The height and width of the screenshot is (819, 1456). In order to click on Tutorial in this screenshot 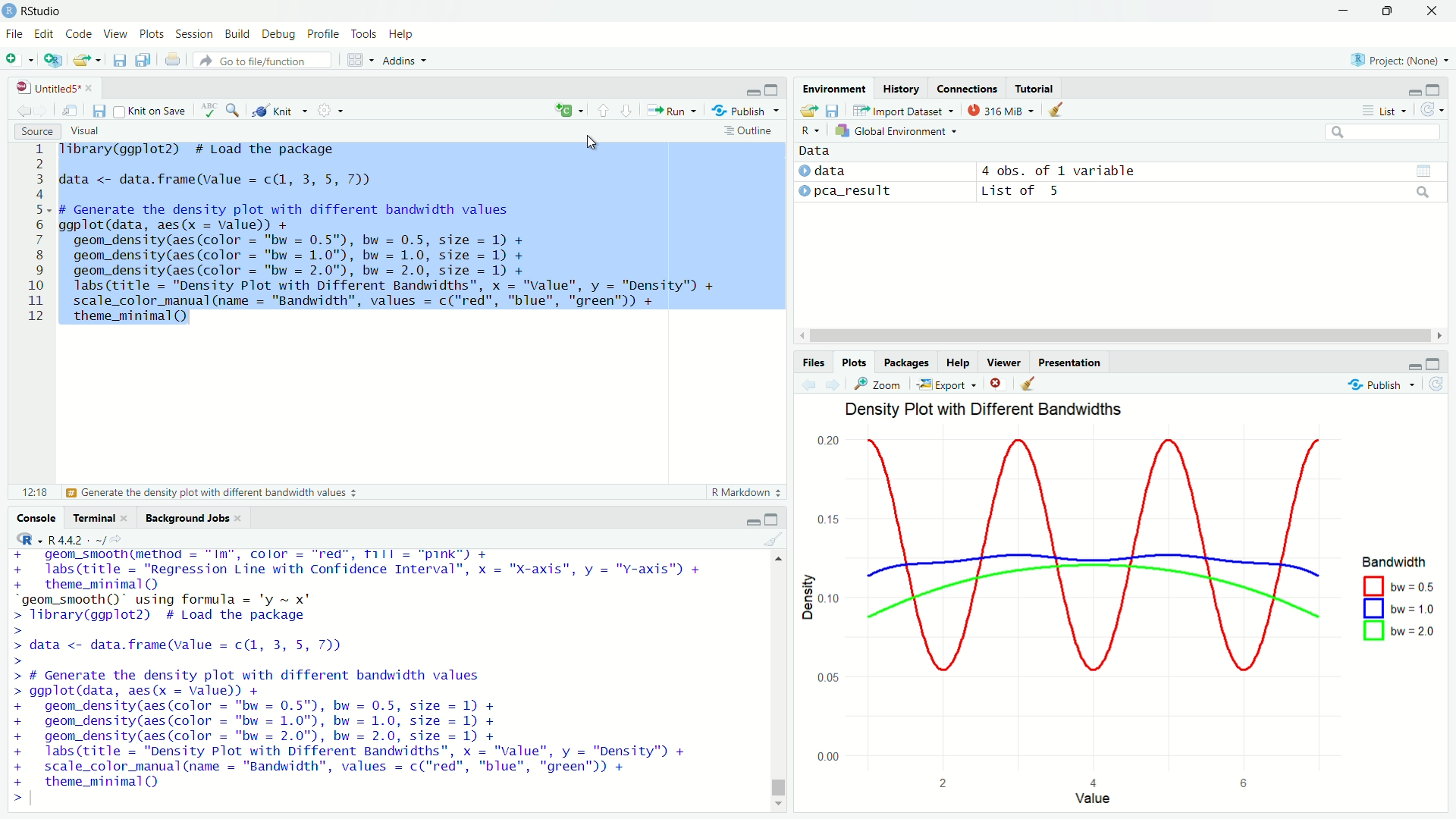, I will do `click(1034, 88)`.